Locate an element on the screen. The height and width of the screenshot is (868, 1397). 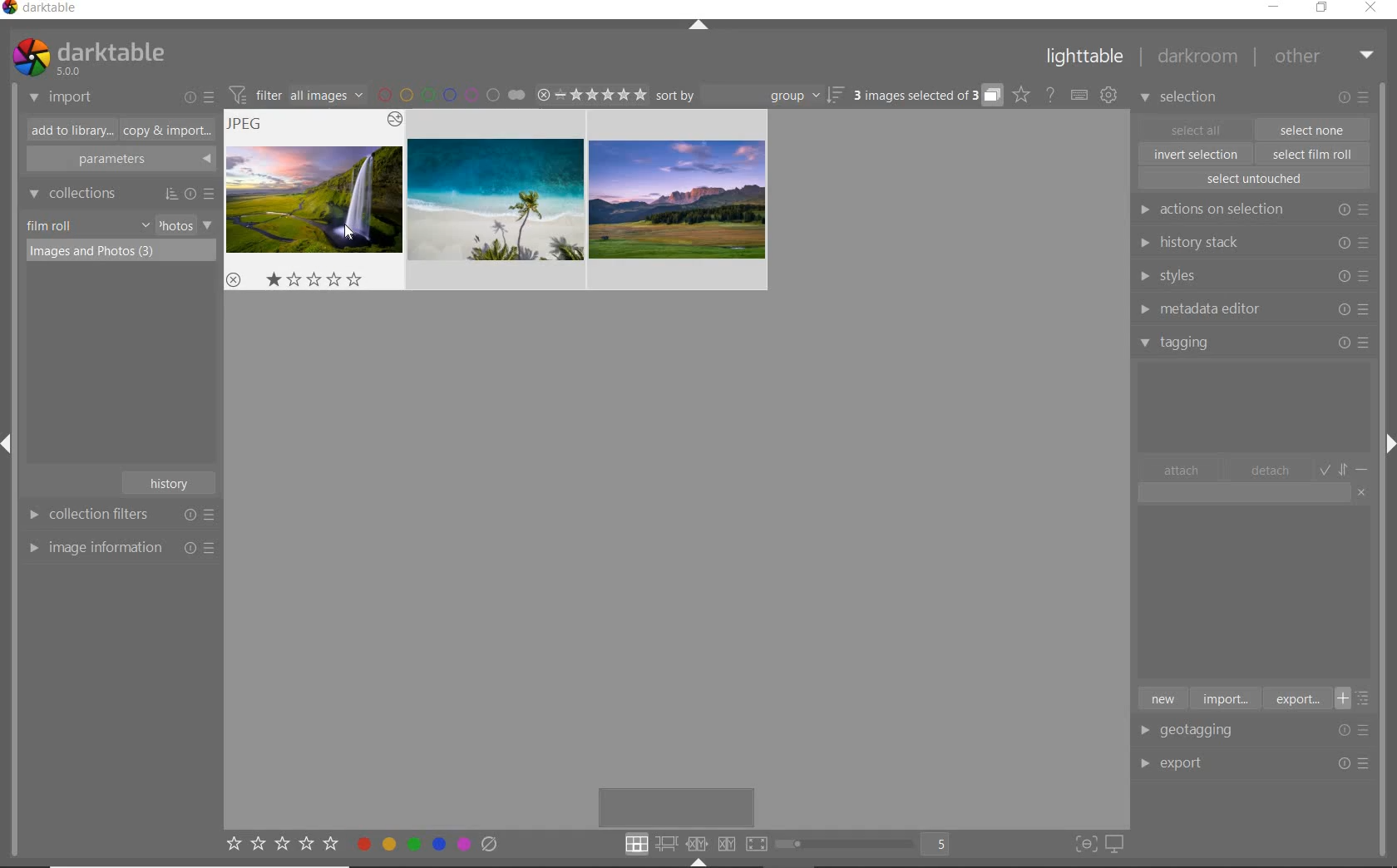
film roll is located at coordinates (51, 225).